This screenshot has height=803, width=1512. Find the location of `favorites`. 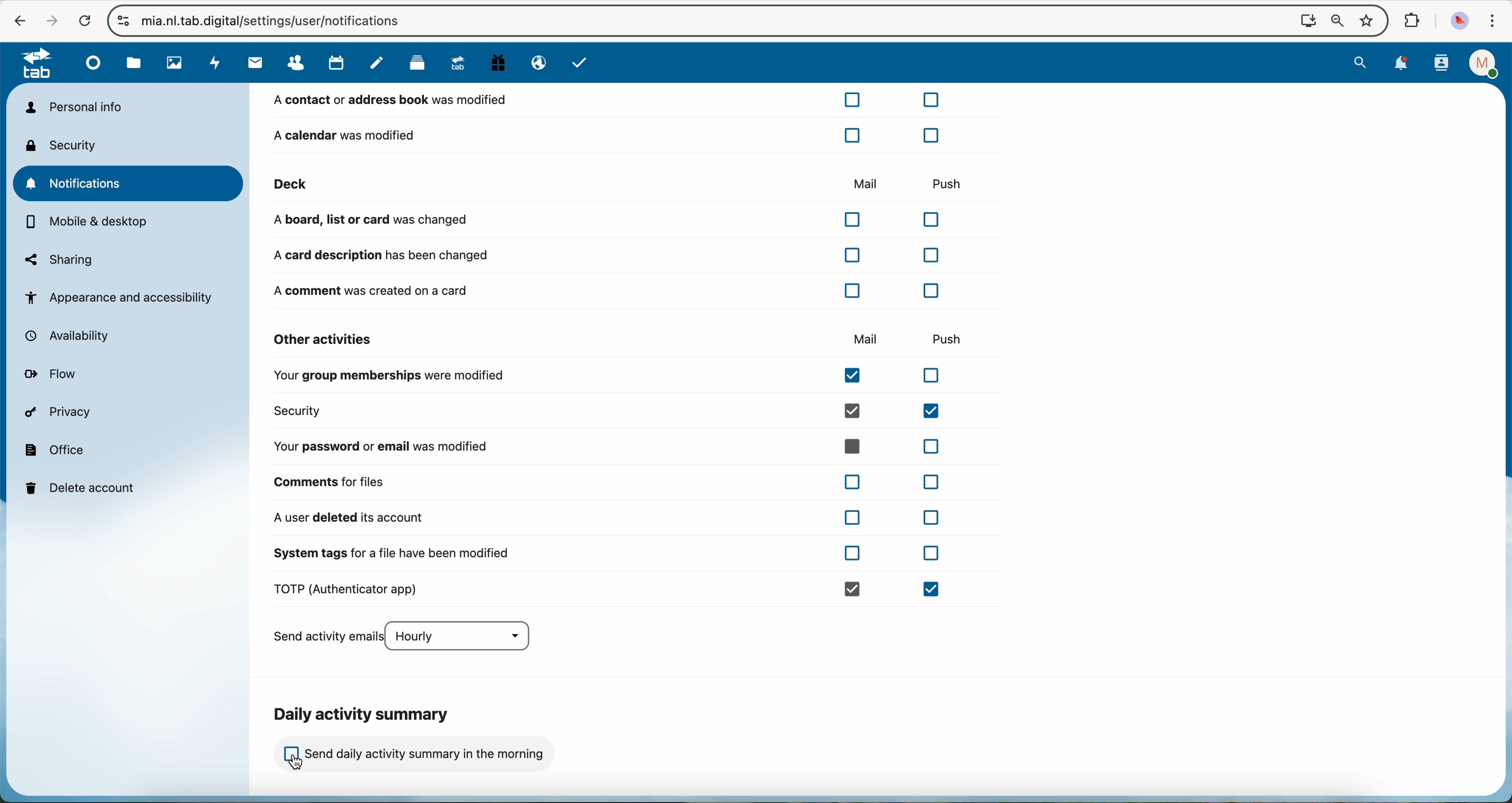

favorites is located at coordinates (1365, 18).